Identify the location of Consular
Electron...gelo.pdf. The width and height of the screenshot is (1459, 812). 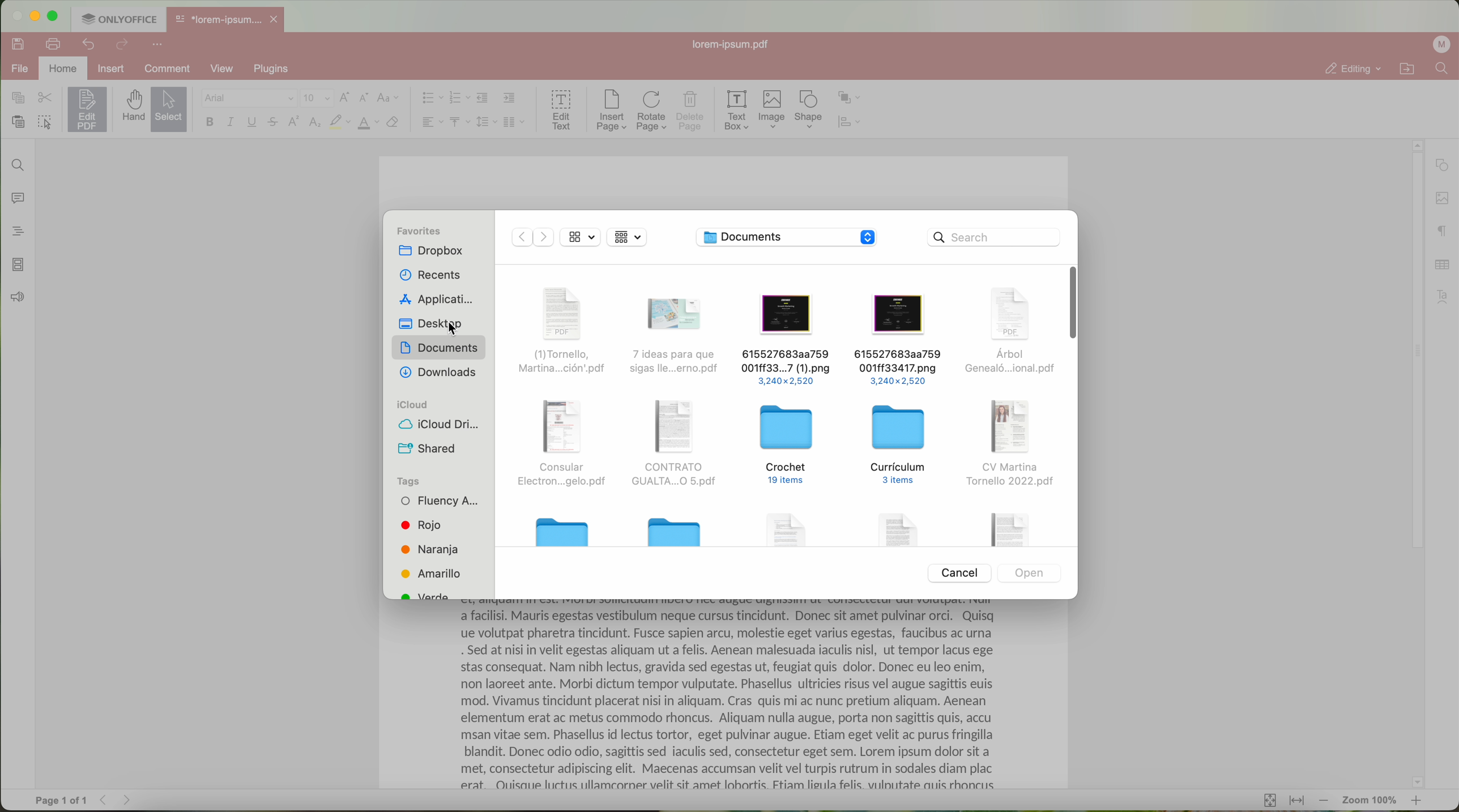
(560, 445).